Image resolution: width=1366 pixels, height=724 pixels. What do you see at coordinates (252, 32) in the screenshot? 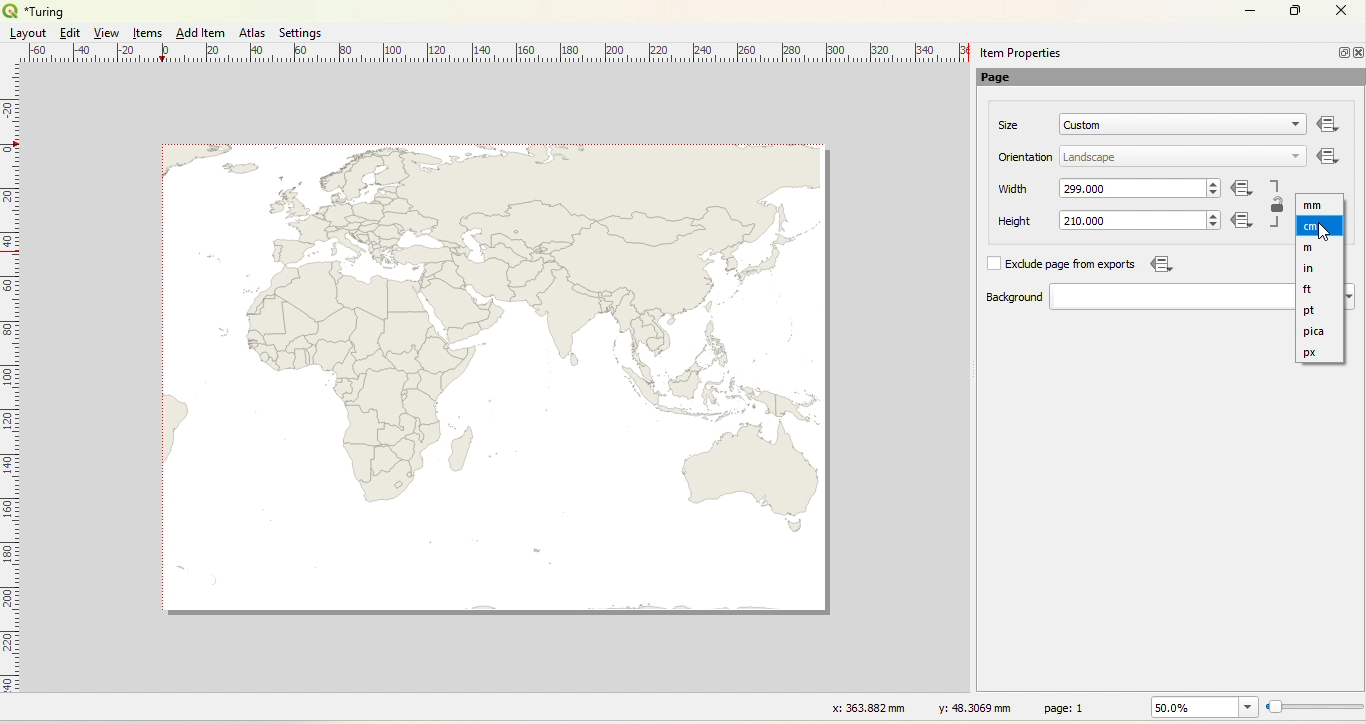
I see `Atlas` at bounding box center [252, 32].